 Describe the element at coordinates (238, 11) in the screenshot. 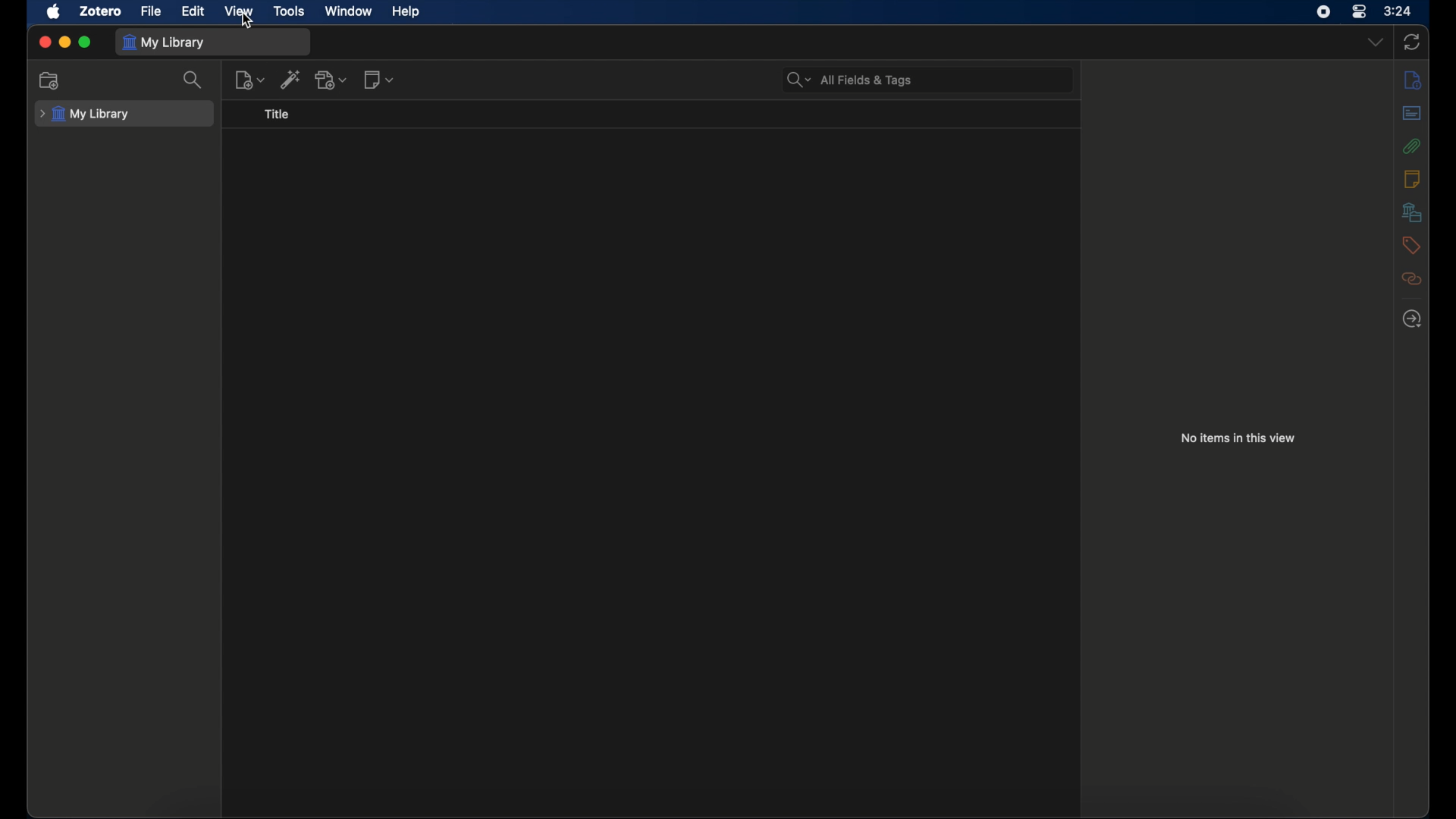

I see `view` at that location.